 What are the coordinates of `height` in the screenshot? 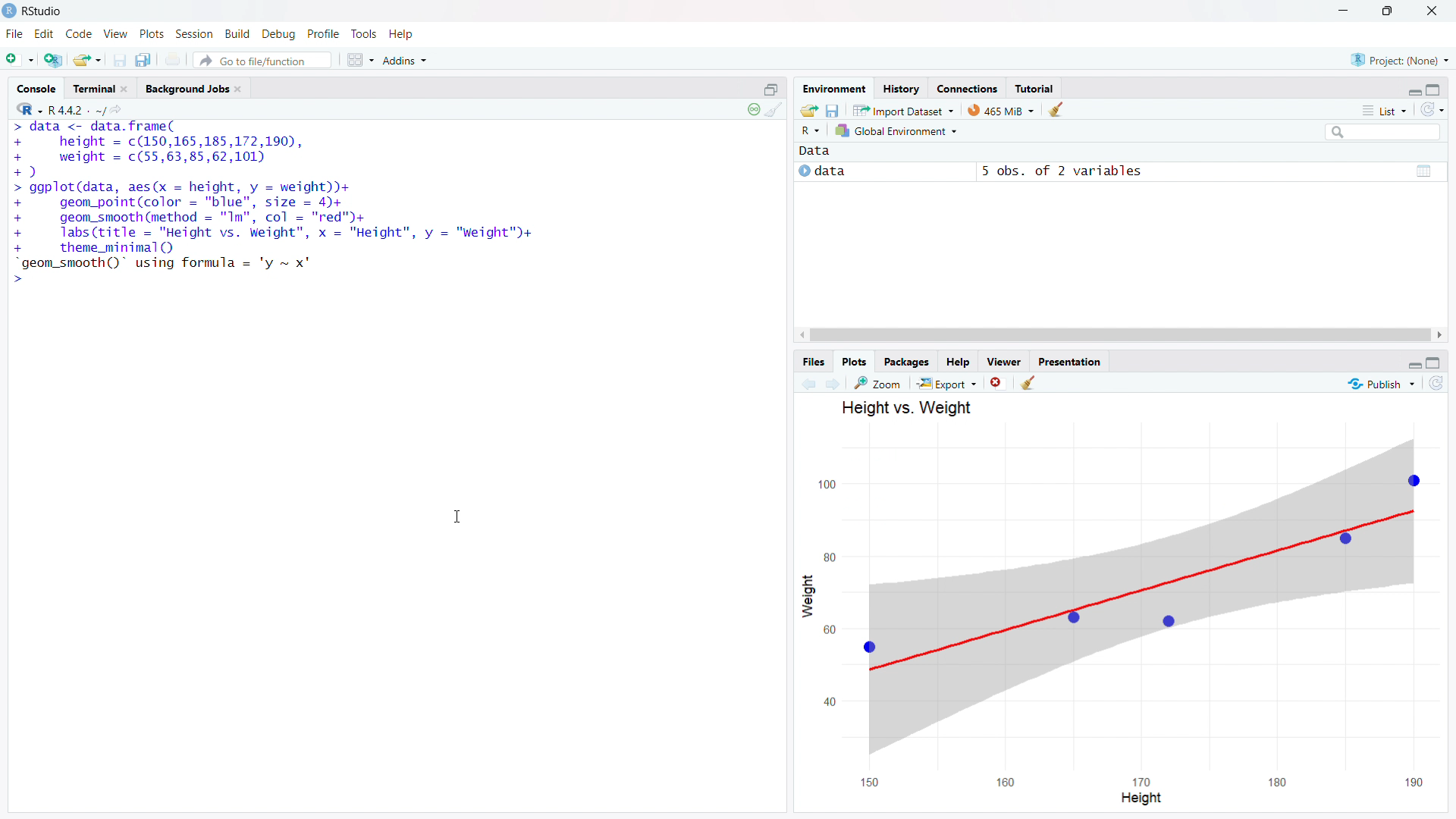 It's located at (1144, 799).